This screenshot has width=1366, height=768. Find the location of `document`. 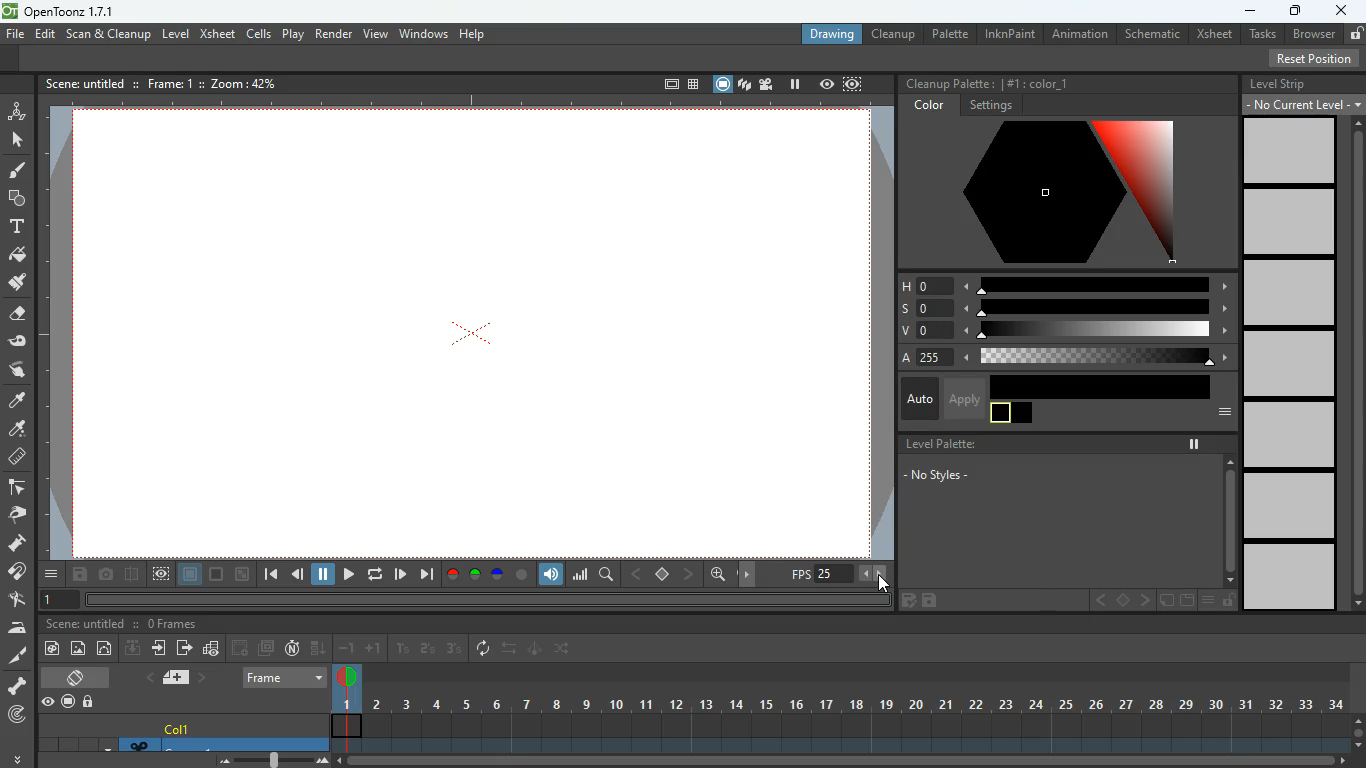

document is located at coordinates (1185, 601).